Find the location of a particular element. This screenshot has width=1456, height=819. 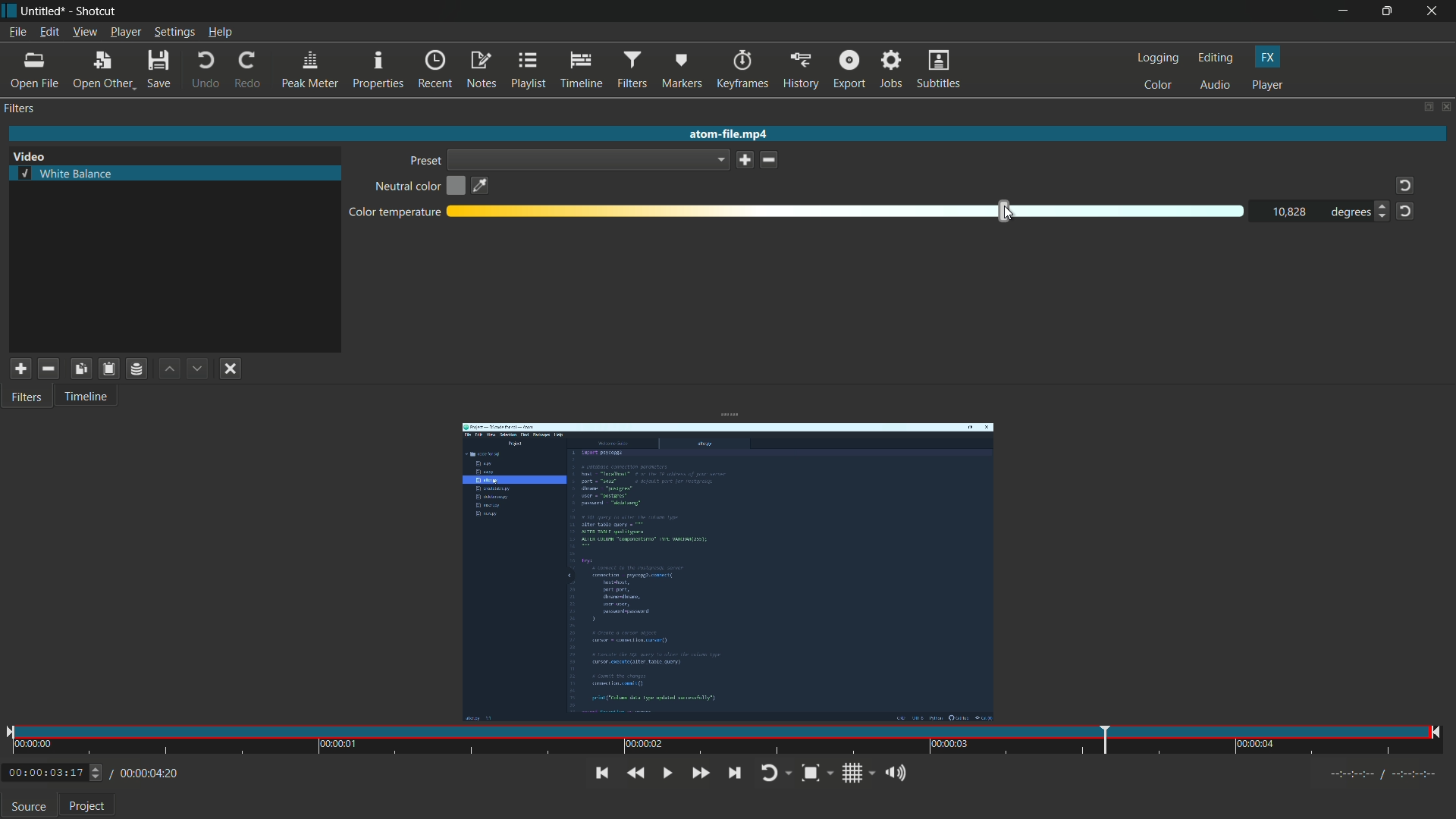

pick color on the screen is located at coordinates (481, 186).